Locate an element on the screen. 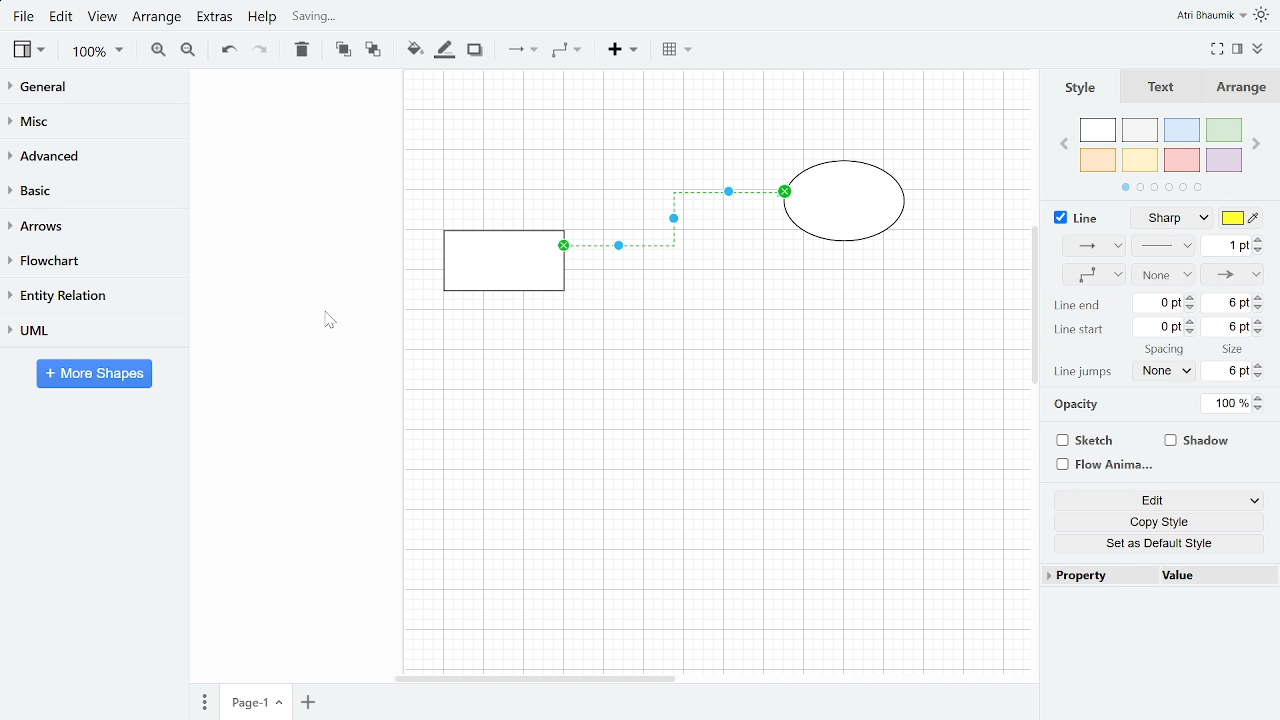 Image resolution: width=1280 pixels, height=720 pixels. Line style is located at coordinates (1178, 219).